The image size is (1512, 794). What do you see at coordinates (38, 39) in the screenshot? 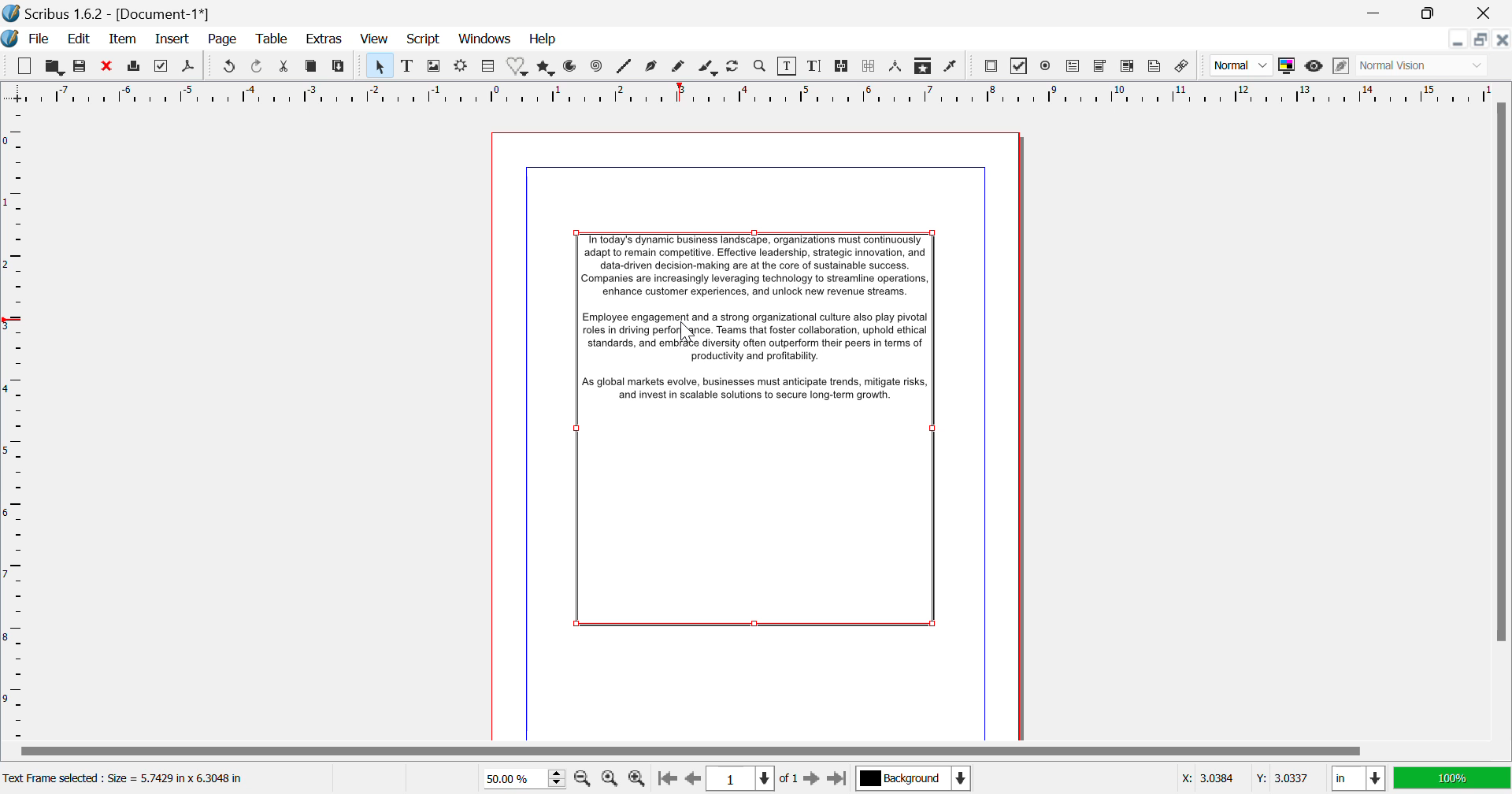
I see `File` at bounding box center [38, 39].